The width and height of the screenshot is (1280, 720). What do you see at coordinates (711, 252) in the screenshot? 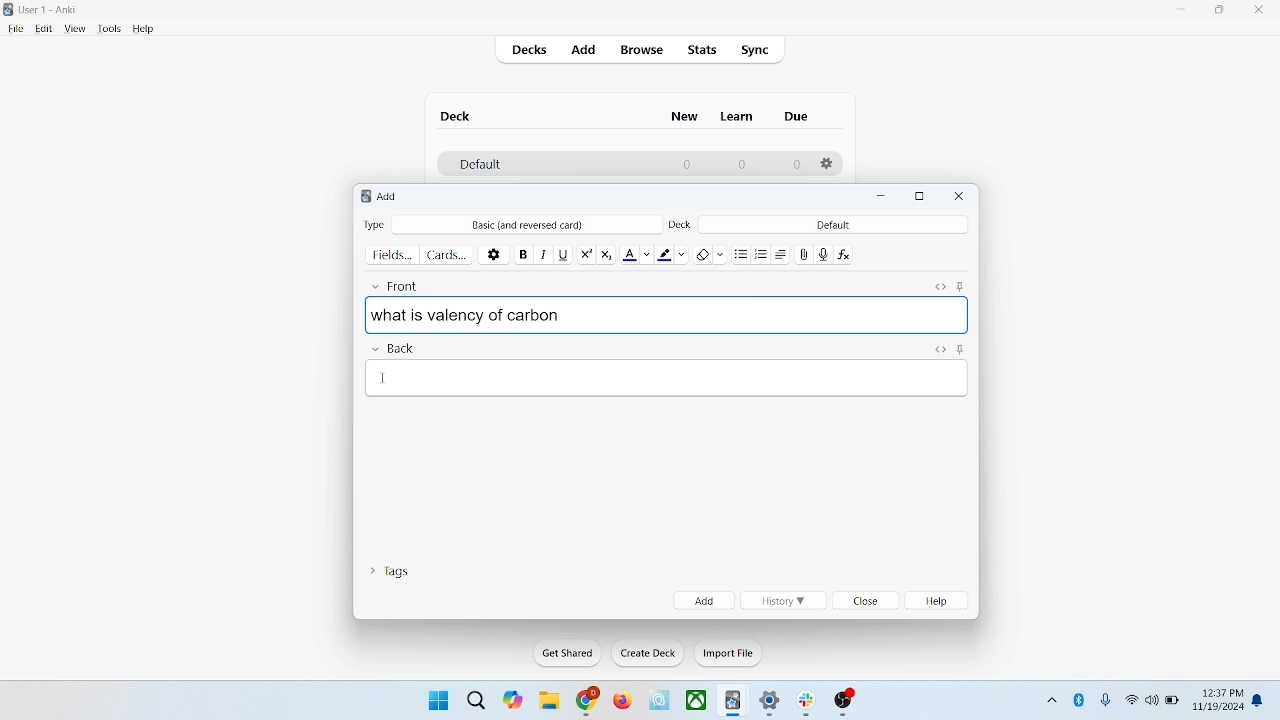
I see `remove formatting` at bounding box center [711, 252].